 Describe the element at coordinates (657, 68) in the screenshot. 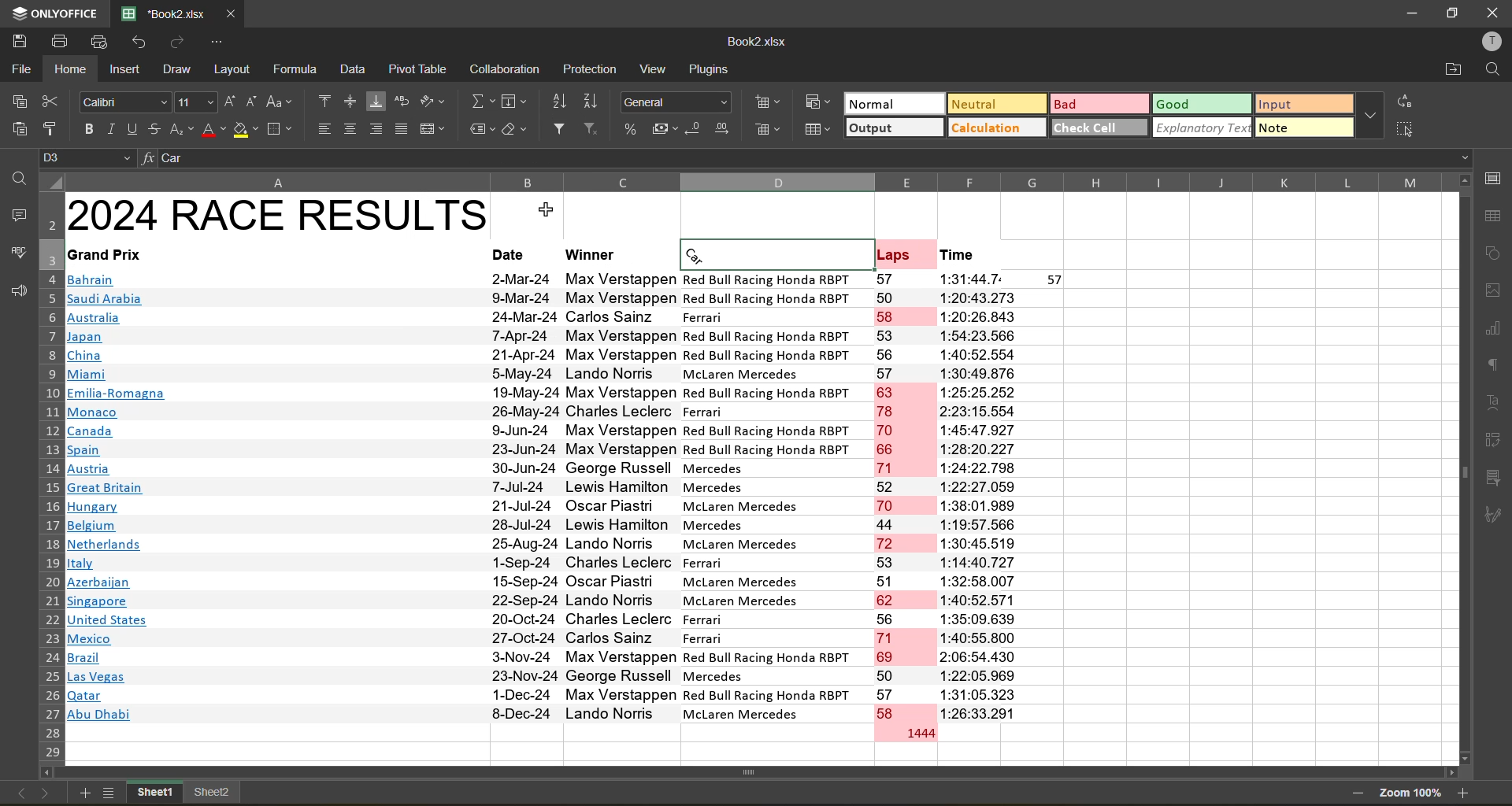

I see `view` at that location.